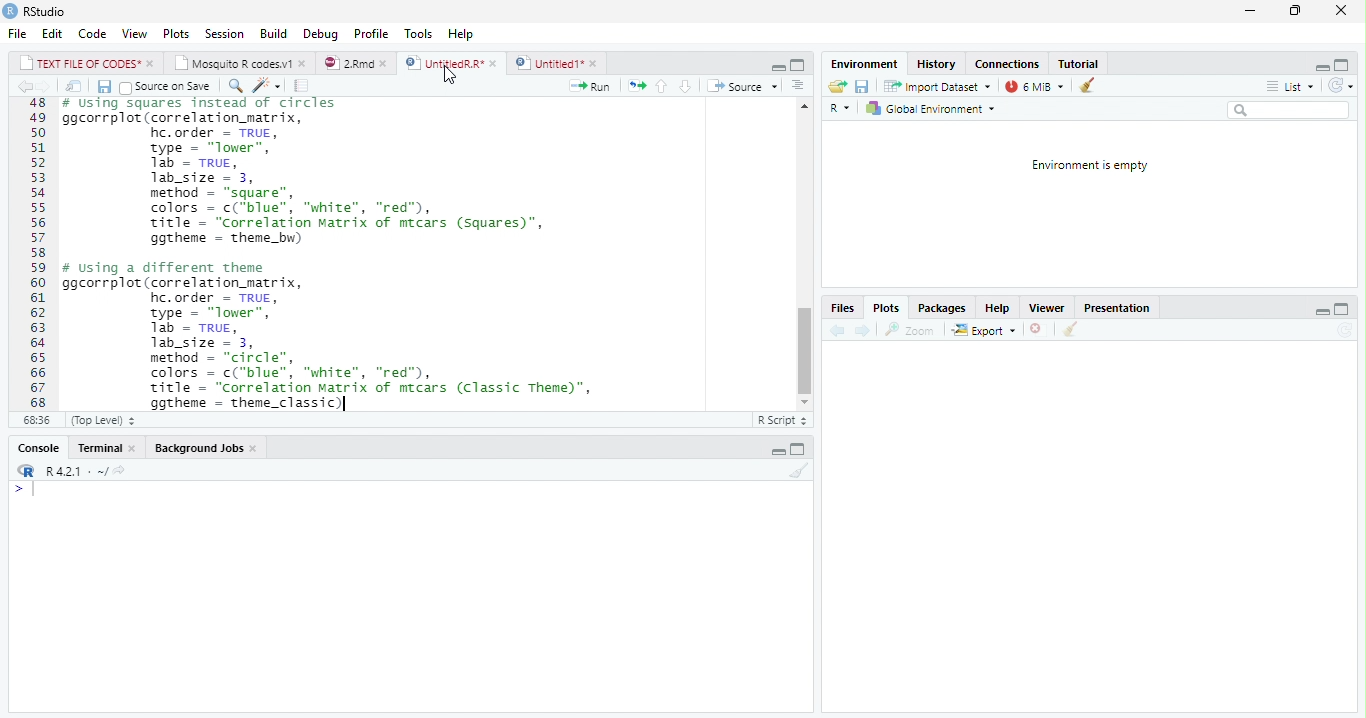  What do you see at coordinates (798, 64) in the screenshot?
I see `hide console` at bounding box center [798, 64].